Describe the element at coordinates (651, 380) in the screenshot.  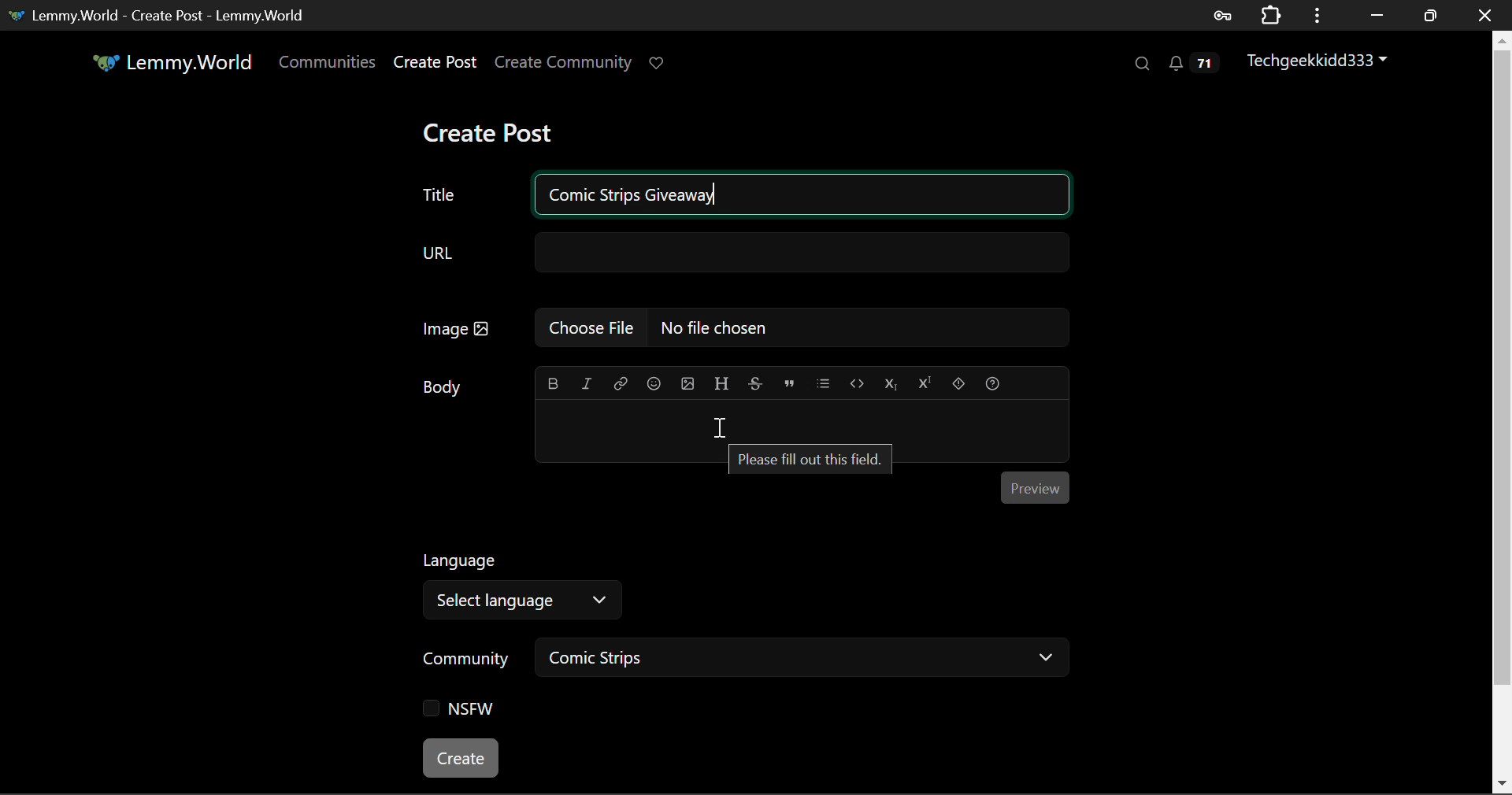
I see `emoji` at that location.